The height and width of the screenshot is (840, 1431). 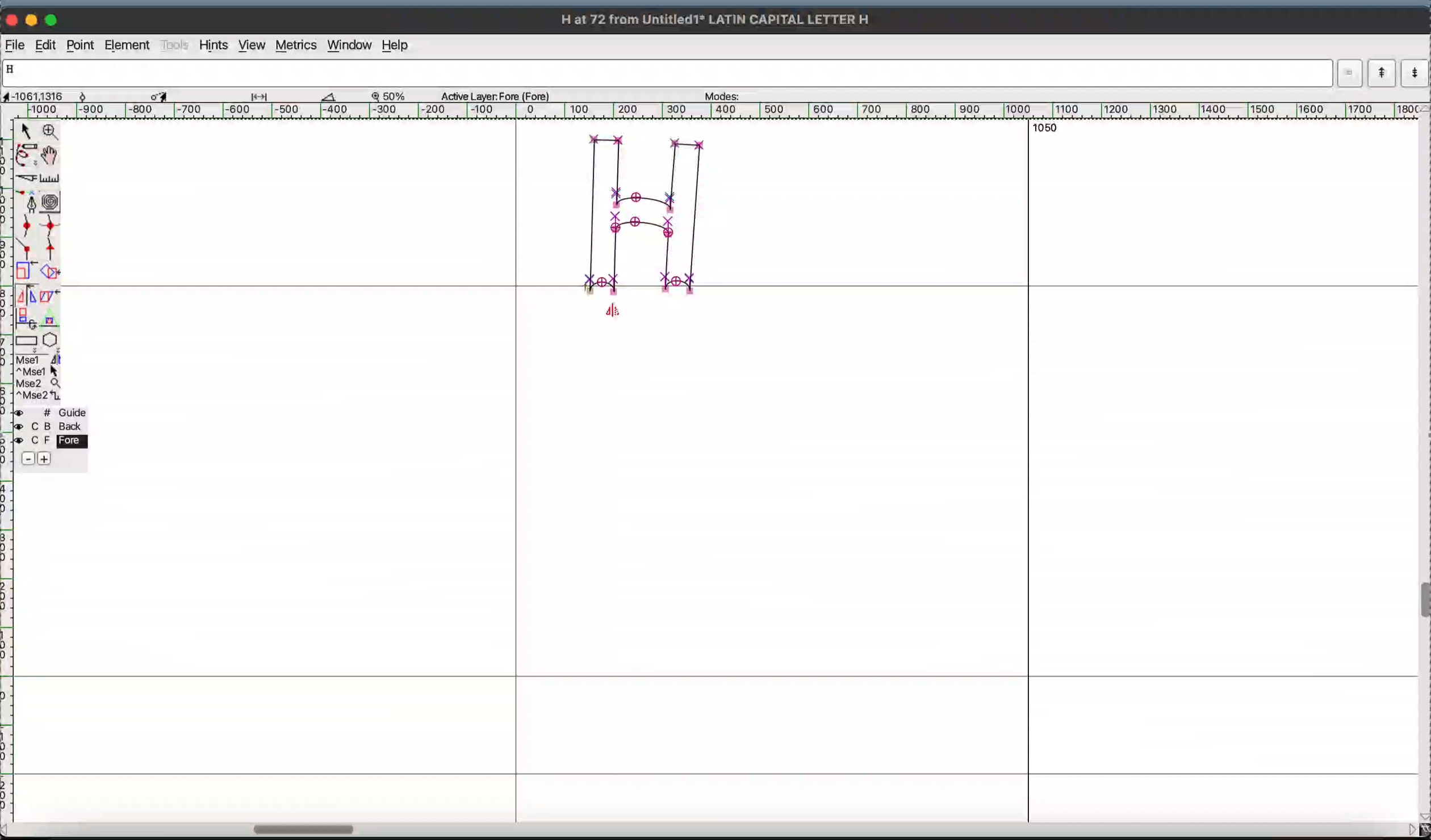 What do you see at coordinates (47, 44) in the screenshot?
I see `Edit` at bounding box center [47, 44].